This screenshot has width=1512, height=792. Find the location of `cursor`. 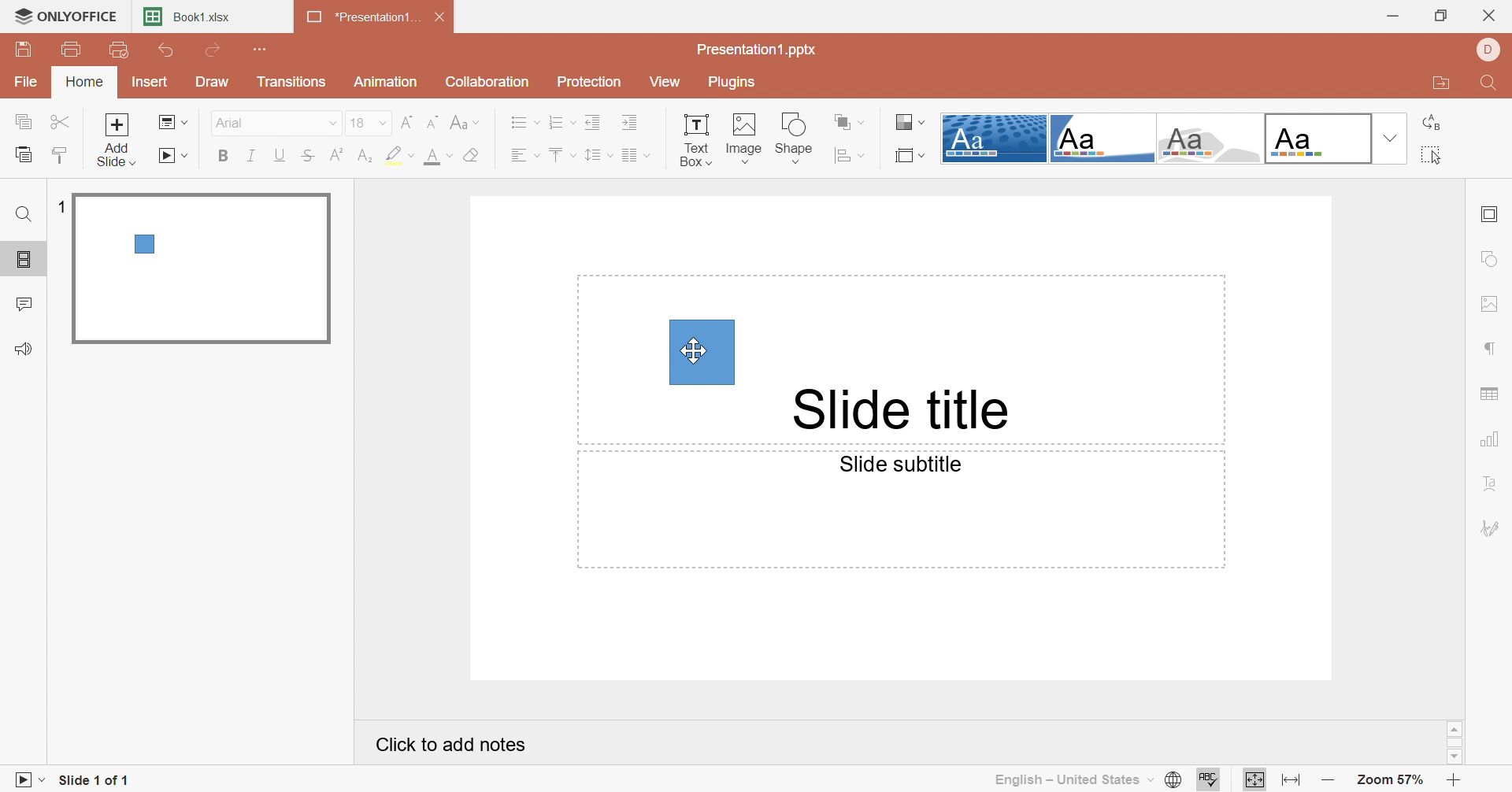

cursor is located at coordinates (693, 352).